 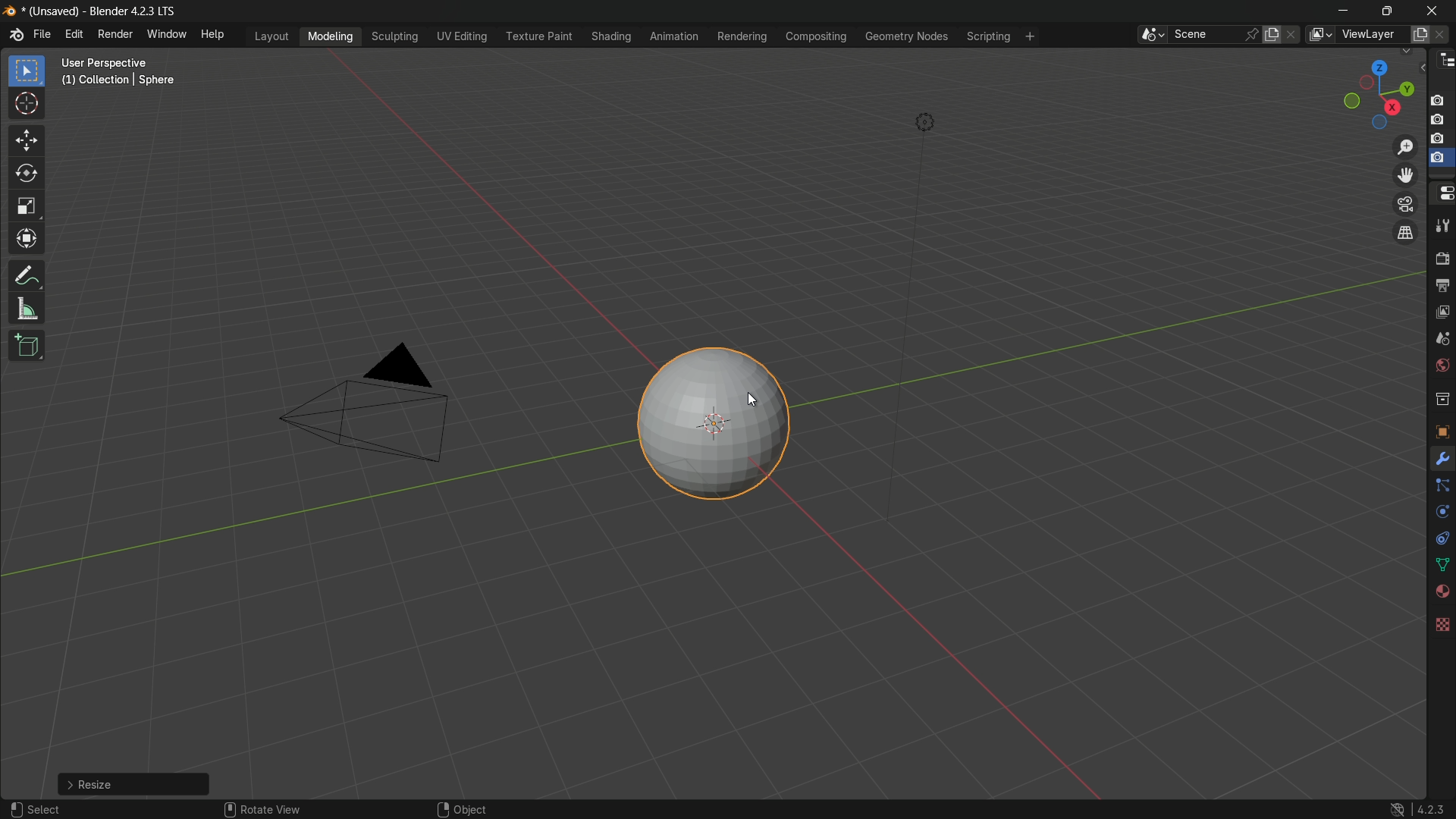 I want to click on close app, so click(x=1435, y=10).